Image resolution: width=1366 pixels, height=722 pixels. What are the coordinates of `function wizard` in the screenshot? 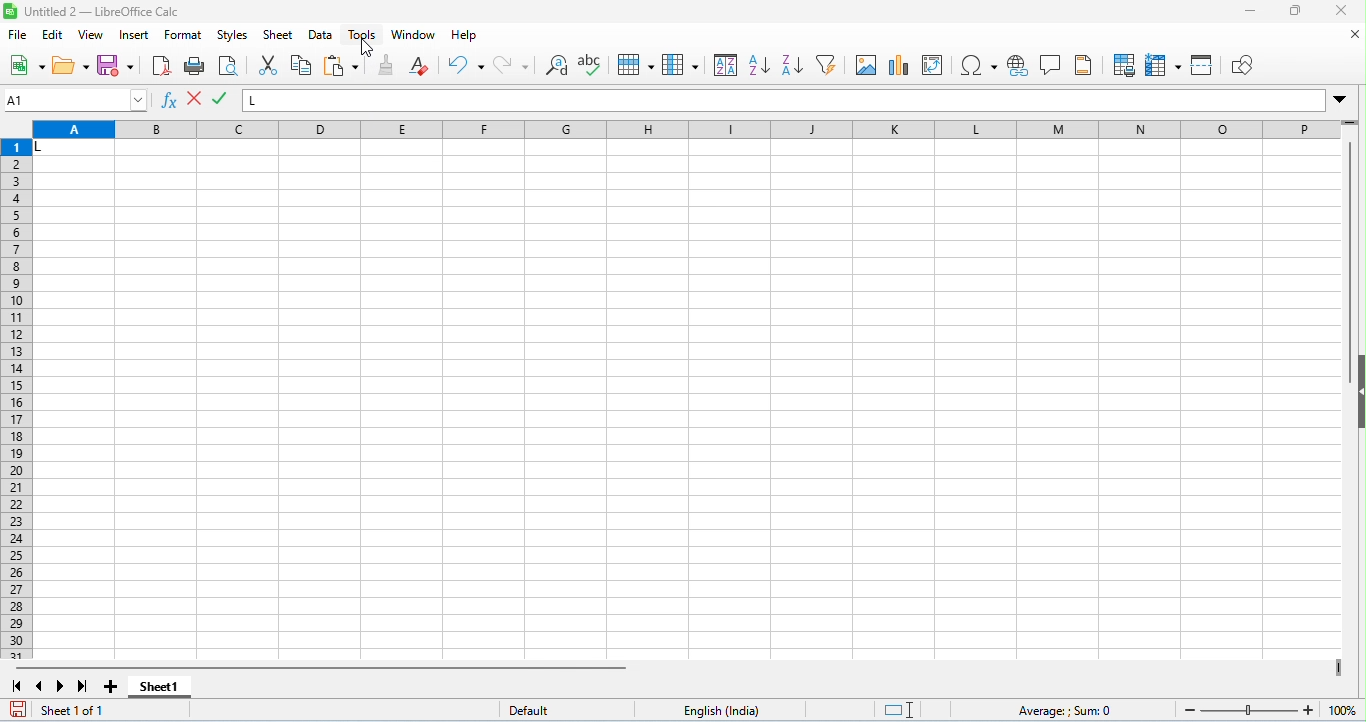 It's located at (171, 102).